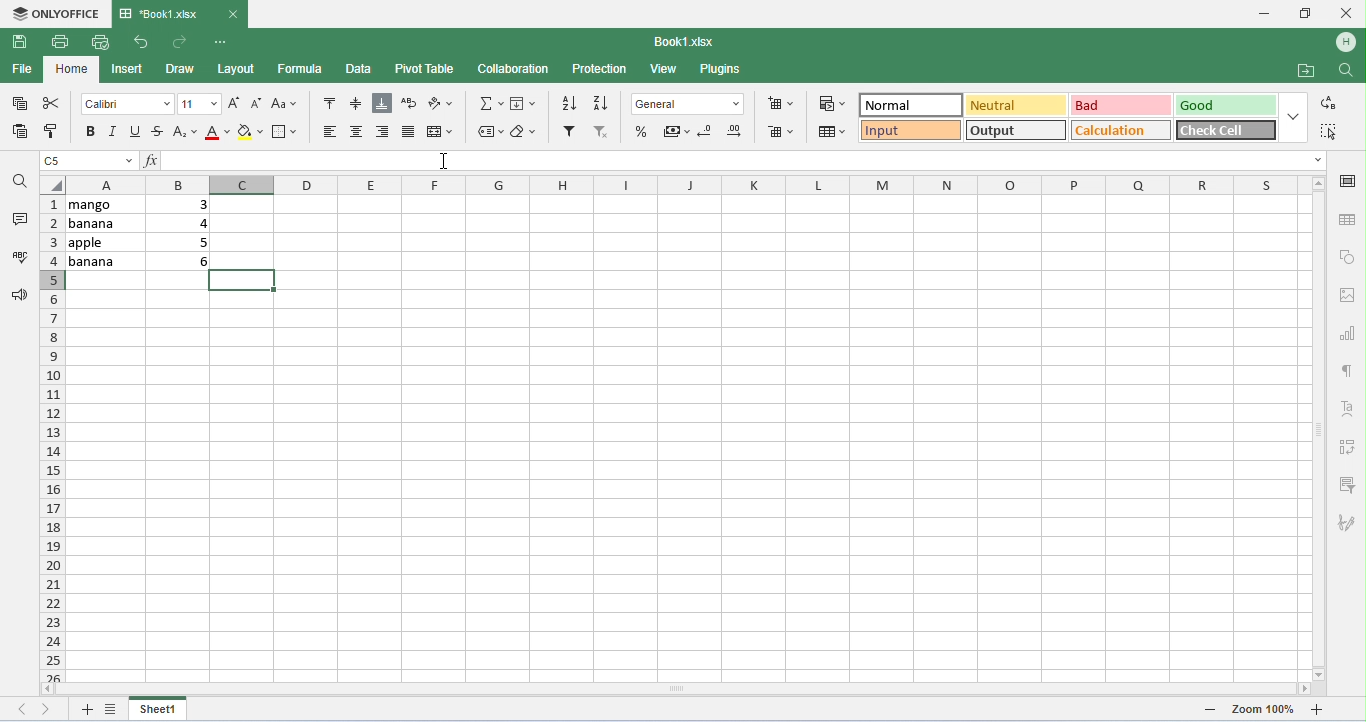 The image size is (1366, 722). Describe the element at coordinates (358, 104) in the screenshot. I see `align middle` at that location.